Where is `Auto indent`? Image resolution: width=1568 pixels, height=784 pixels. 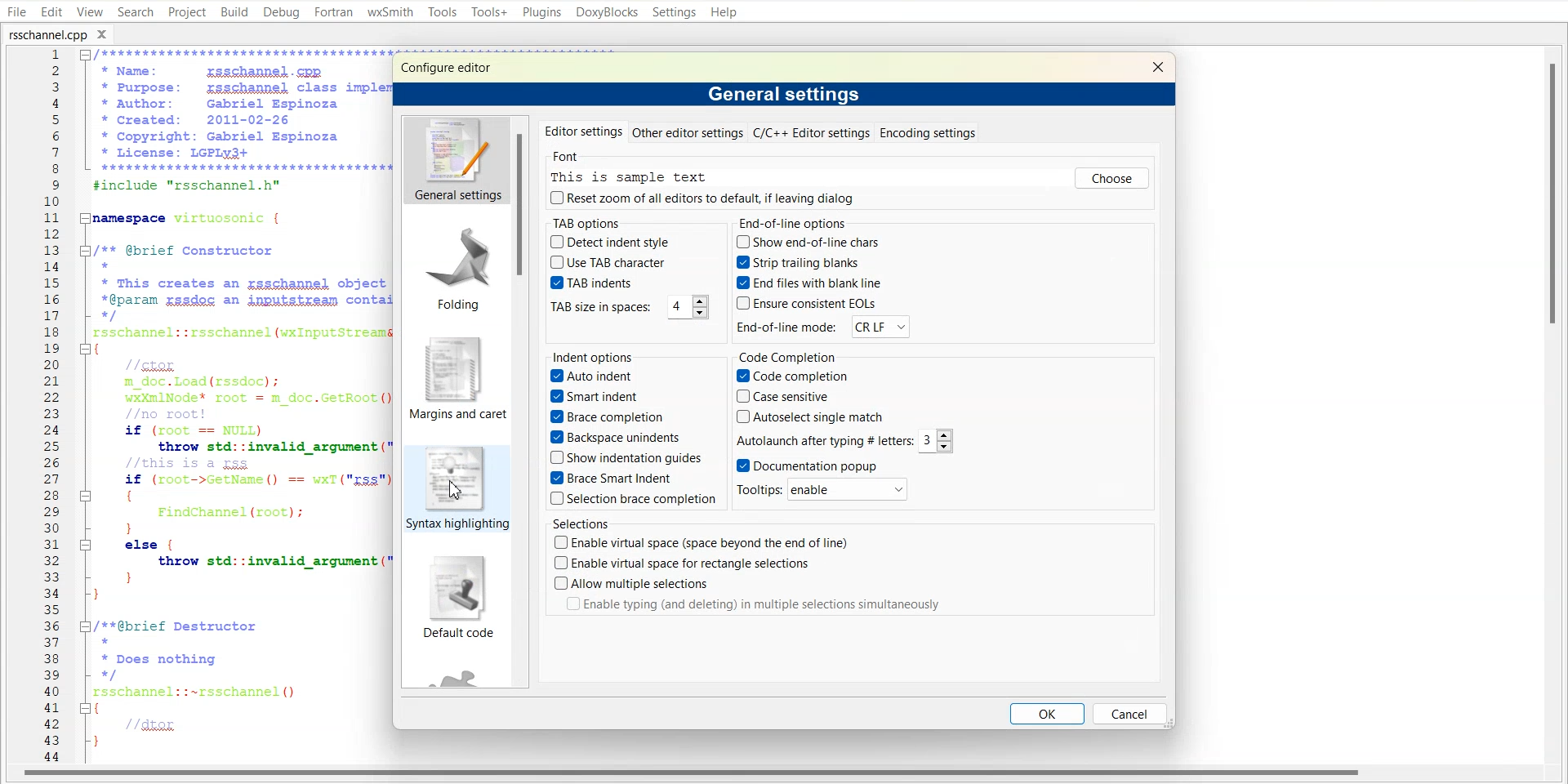
Auto indent is located at coordinates (592, 376).